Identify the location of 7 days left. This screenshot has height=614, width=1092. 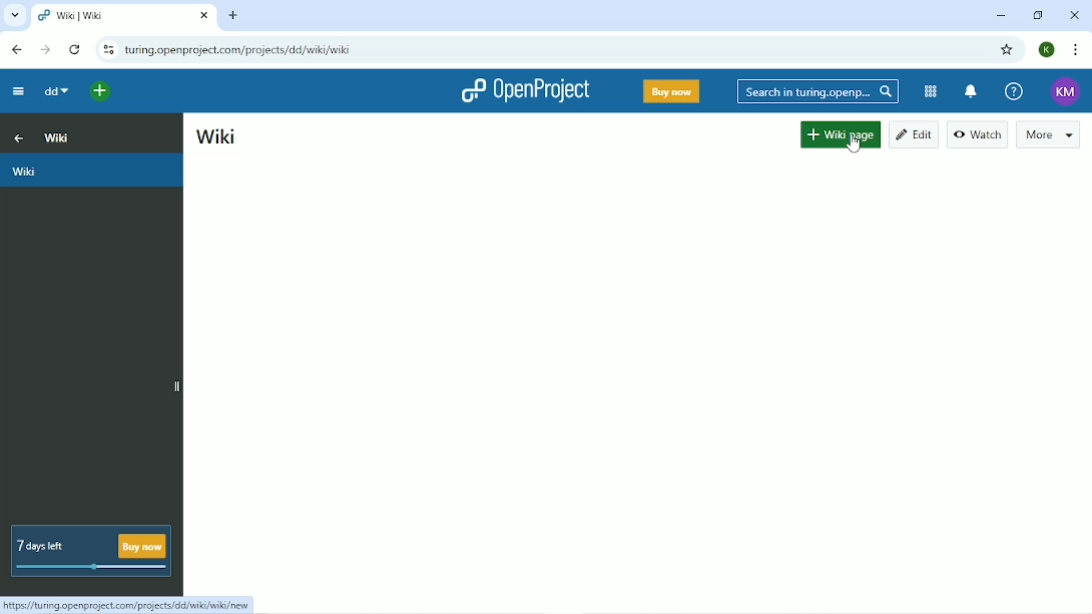
(91, 550).